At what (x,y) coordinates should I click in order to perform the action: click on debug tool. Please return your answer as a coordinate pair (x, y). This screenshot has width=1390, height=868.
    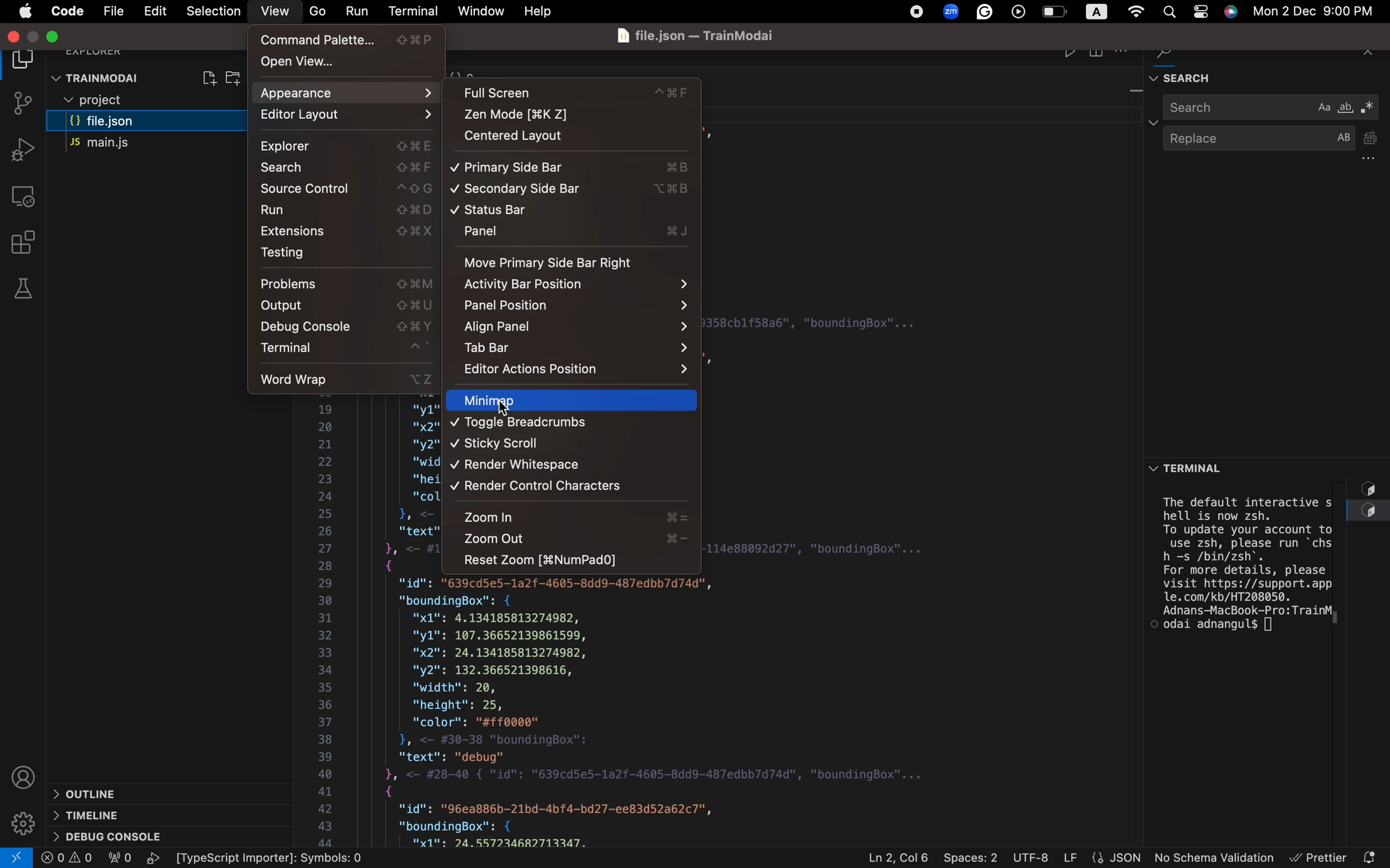
    Looking at the image, I should click on (21, 149).